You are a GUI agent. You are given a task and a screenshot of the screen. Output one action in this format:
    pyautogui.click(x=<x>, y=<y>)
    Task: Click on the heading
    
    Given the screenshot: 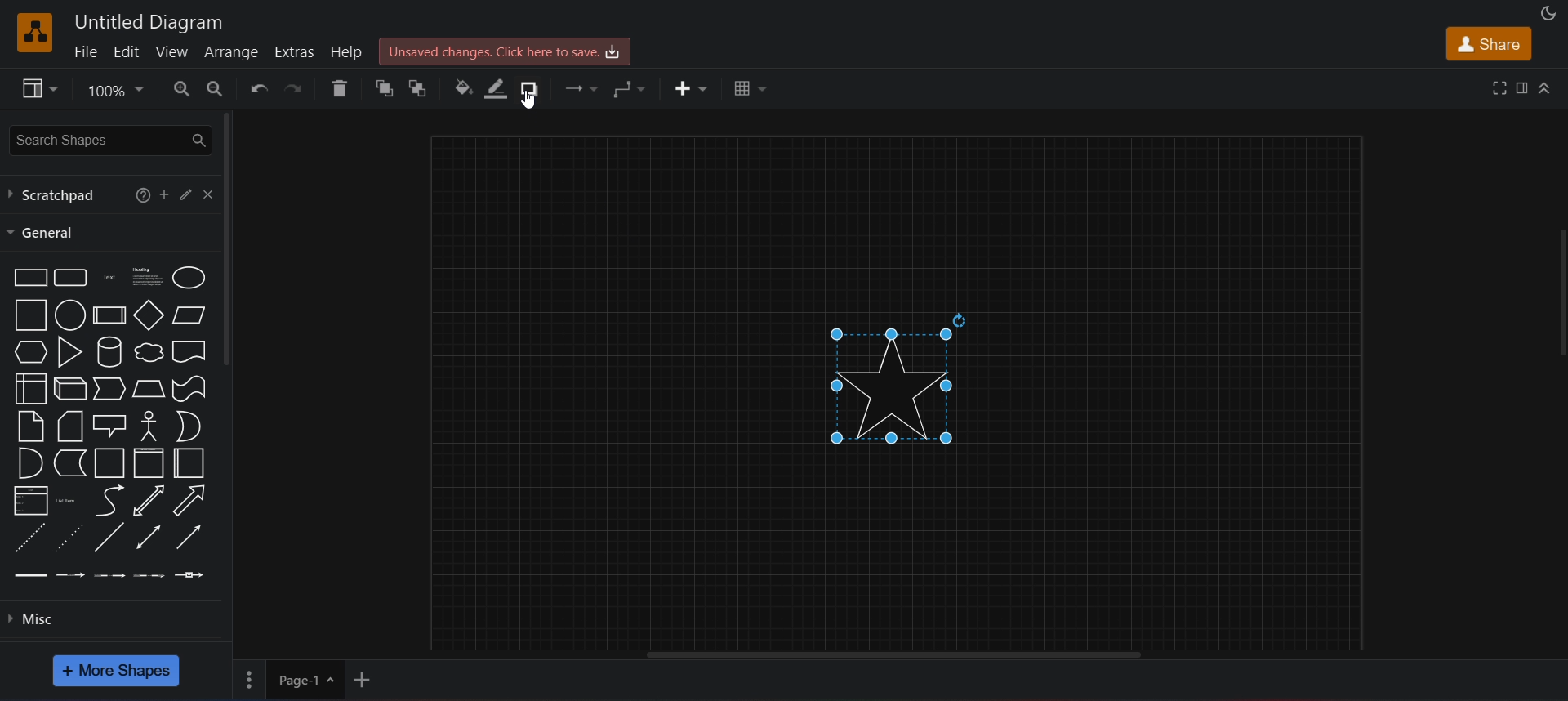 What is the action you would take?
    pyautogui.click(x=144, y=278)
    